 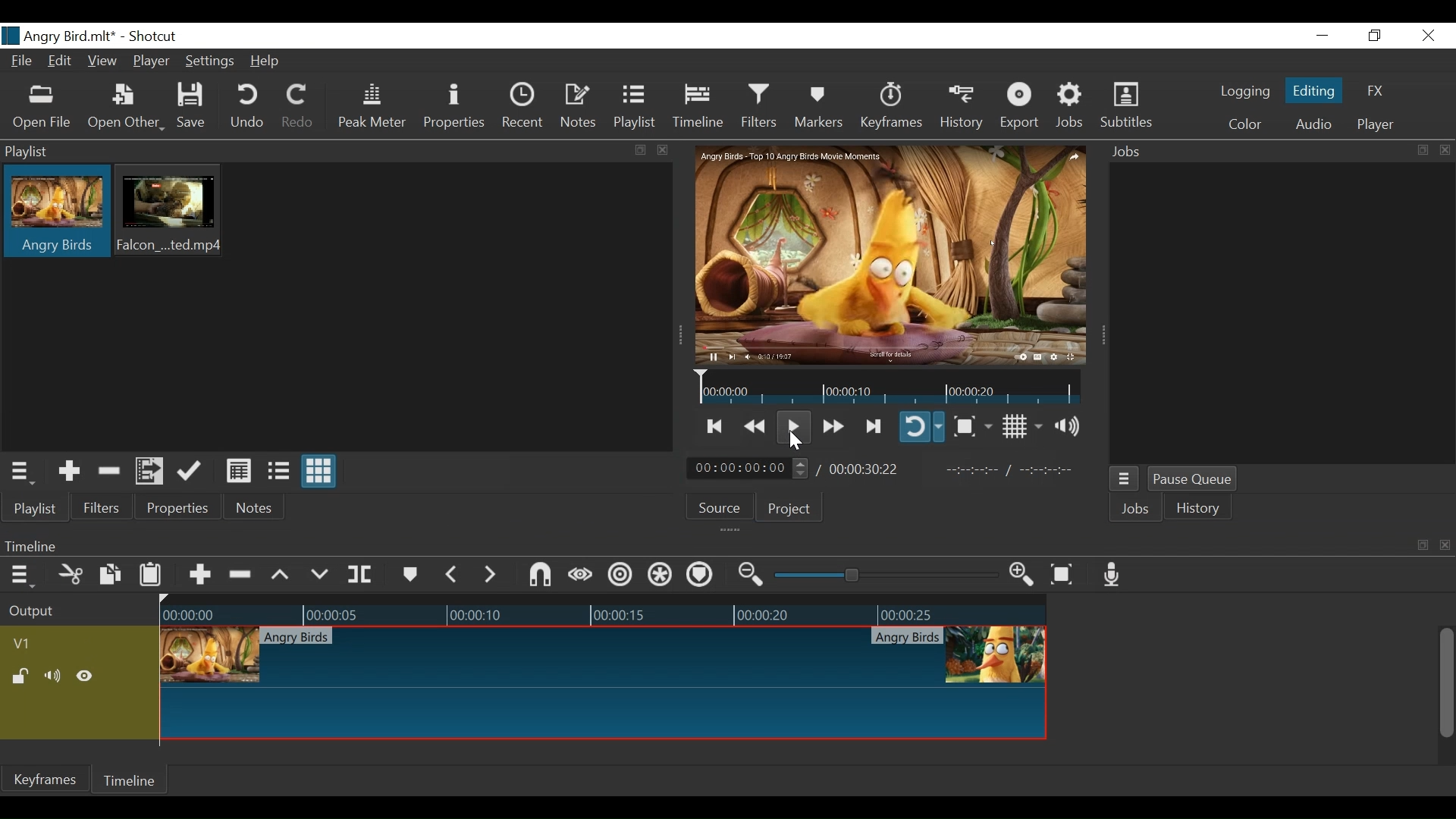 What do you see at coordinates (60, 36) in the screenshot?
I see `File Name` at bounding box center [60, 36].